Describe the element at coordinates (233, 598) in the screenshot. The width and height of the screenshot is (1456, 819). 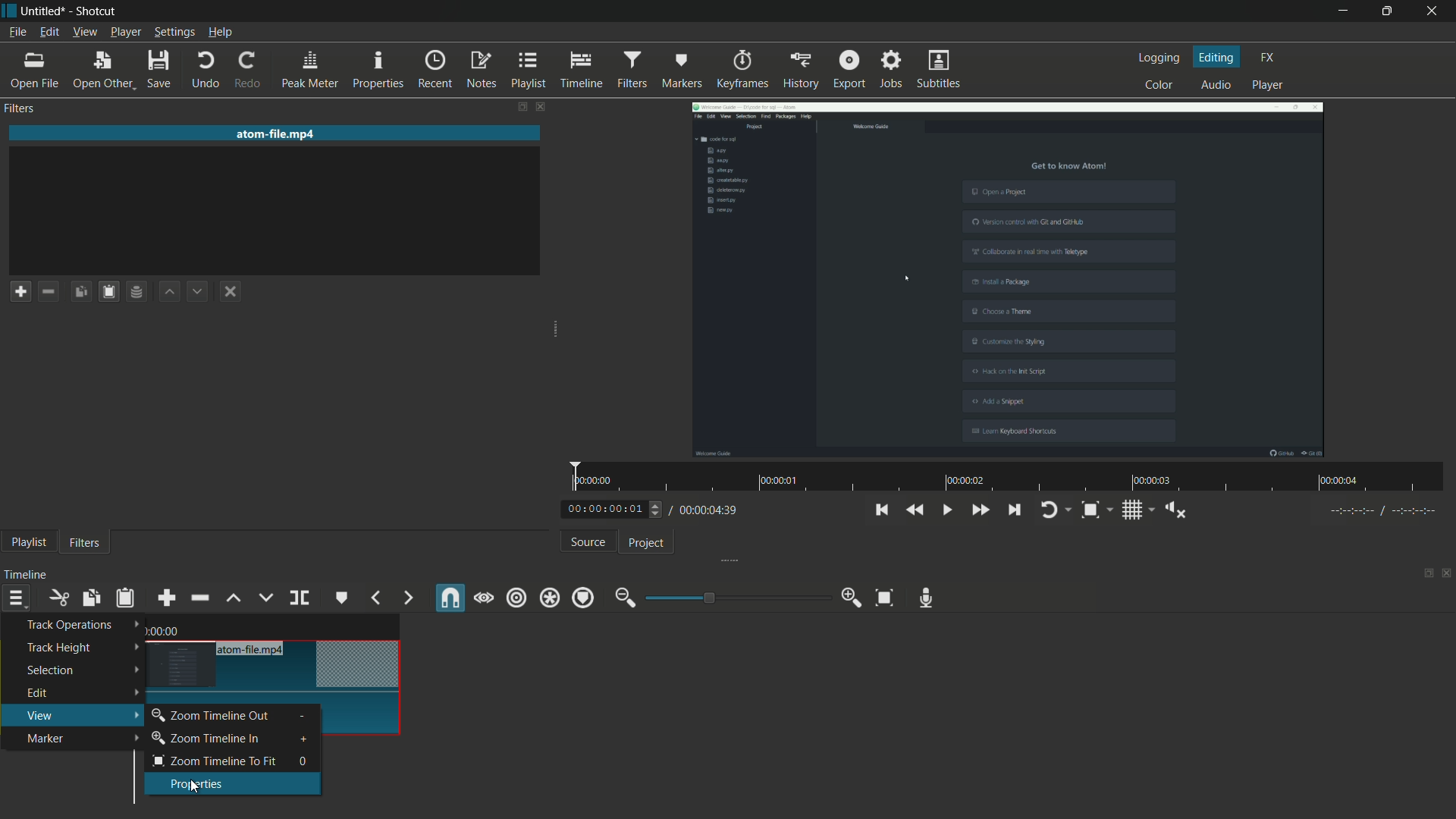
I see `lift` at that location.